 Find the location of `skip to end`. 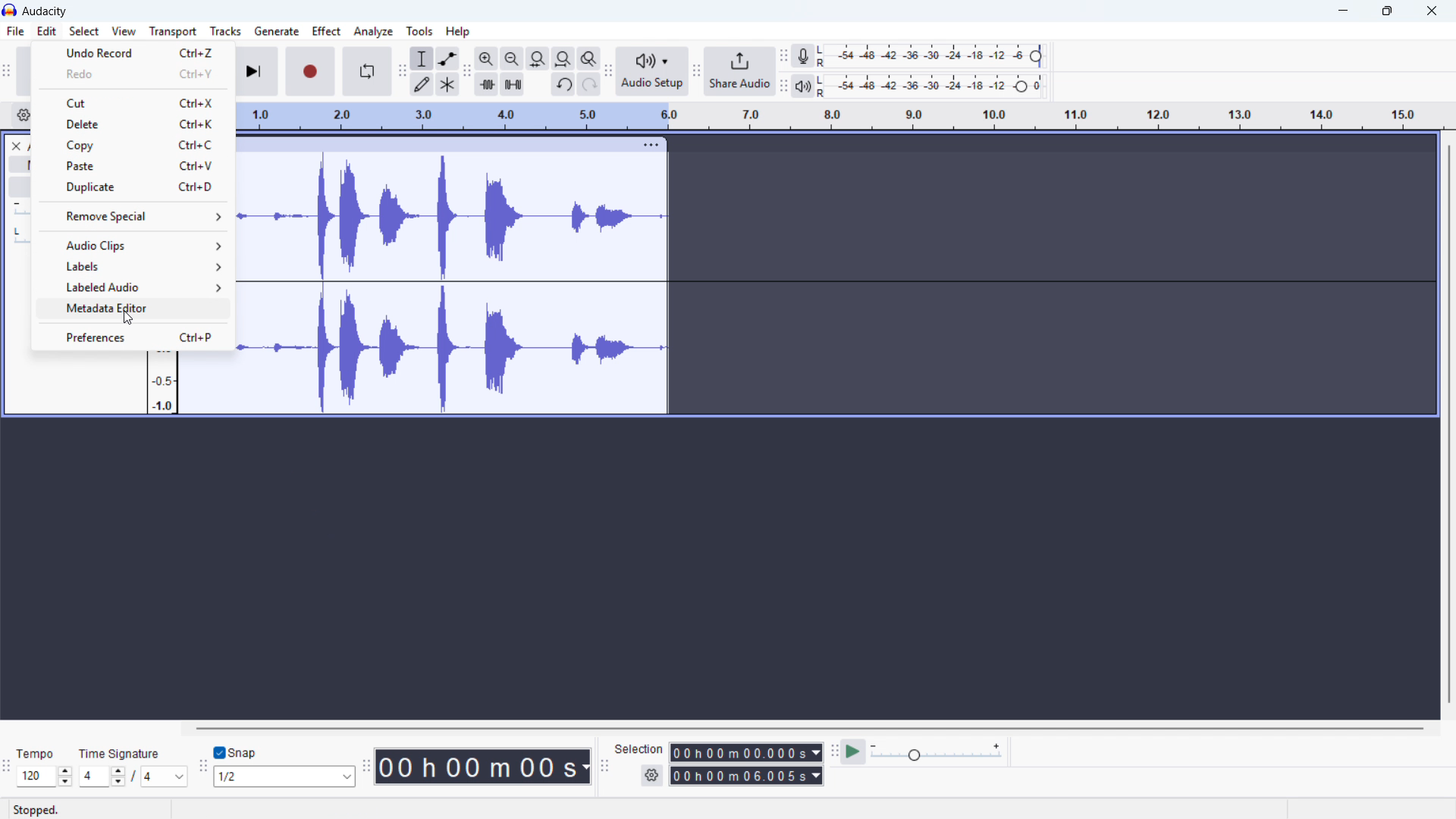

skip to end is located at coordinates (259, 72).